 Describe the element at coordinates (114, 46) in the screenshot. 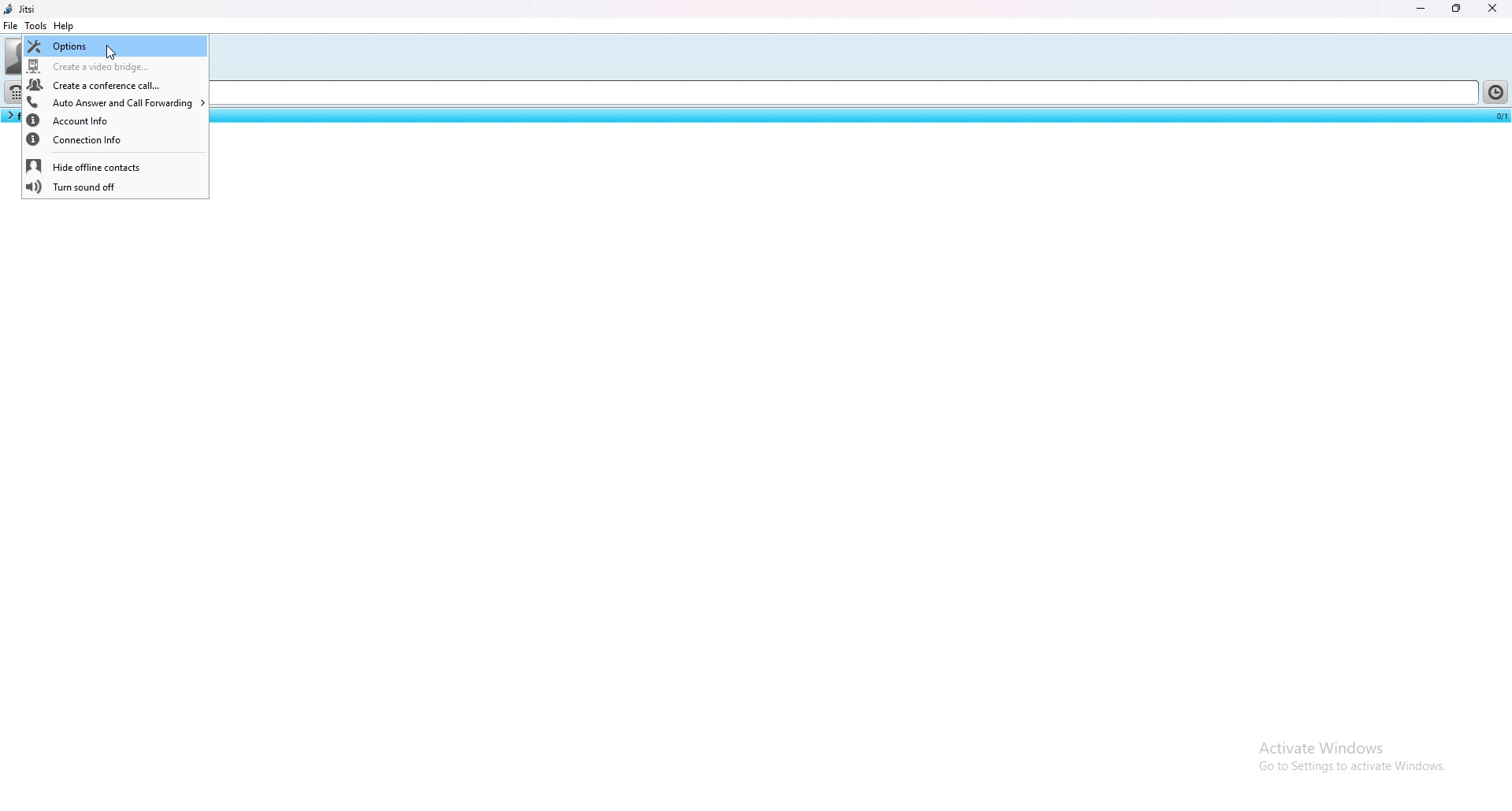

I see `options` at that location.